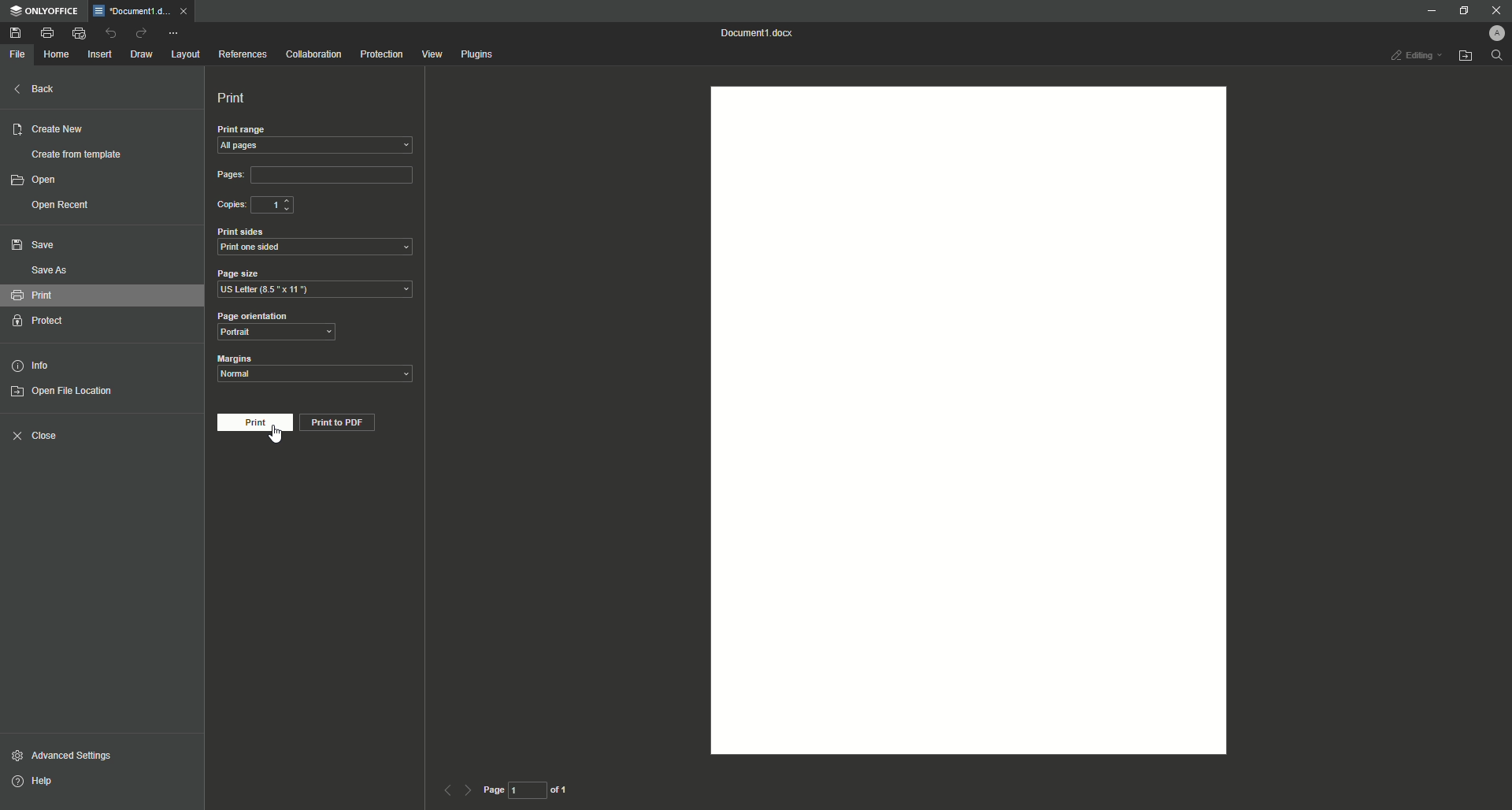 This screenshot has height=810, width=1512. I want to click on Document 1, so click(756, 32).